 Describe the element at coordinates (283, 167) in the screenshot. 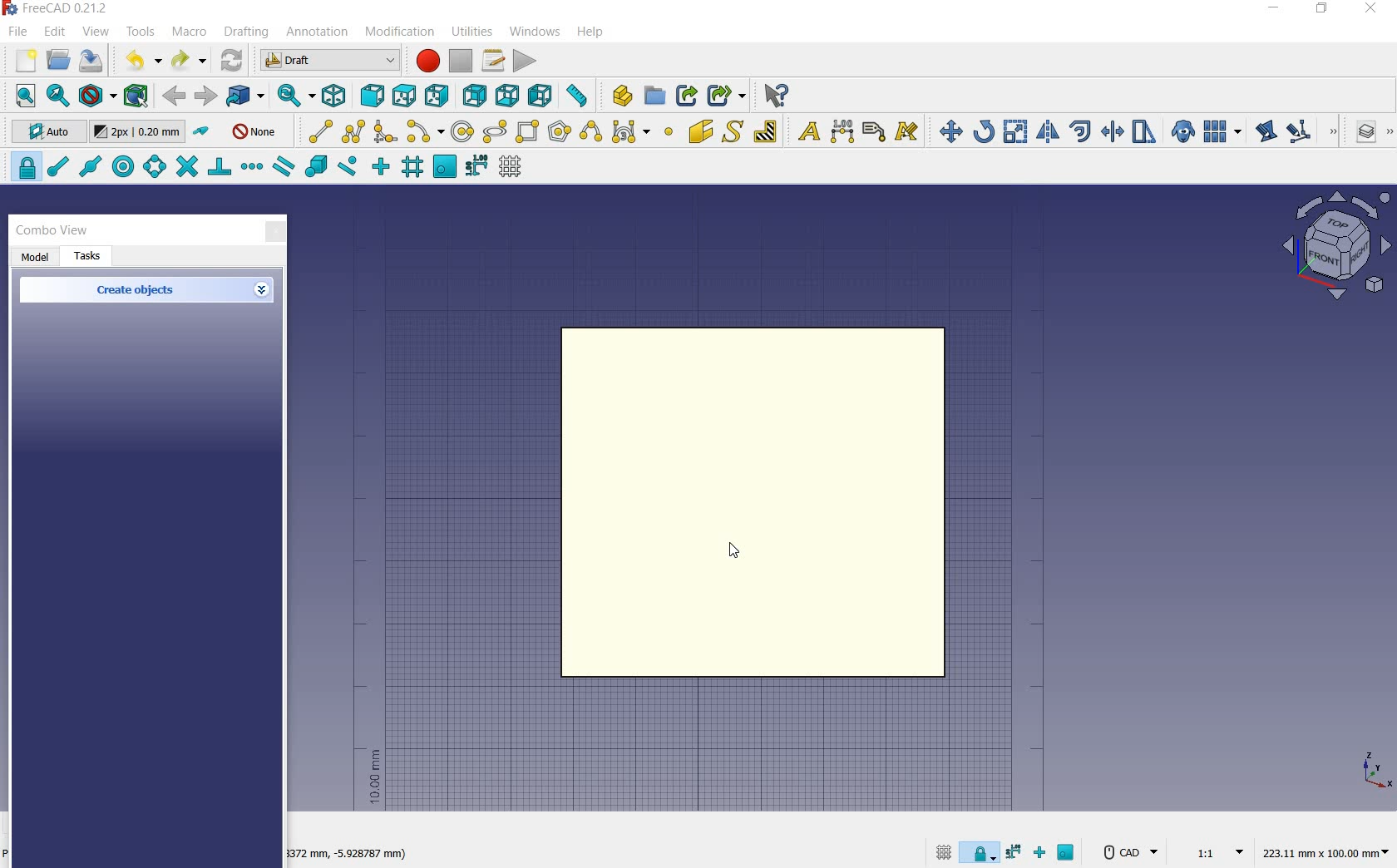

I see `snap parallel` at that location.